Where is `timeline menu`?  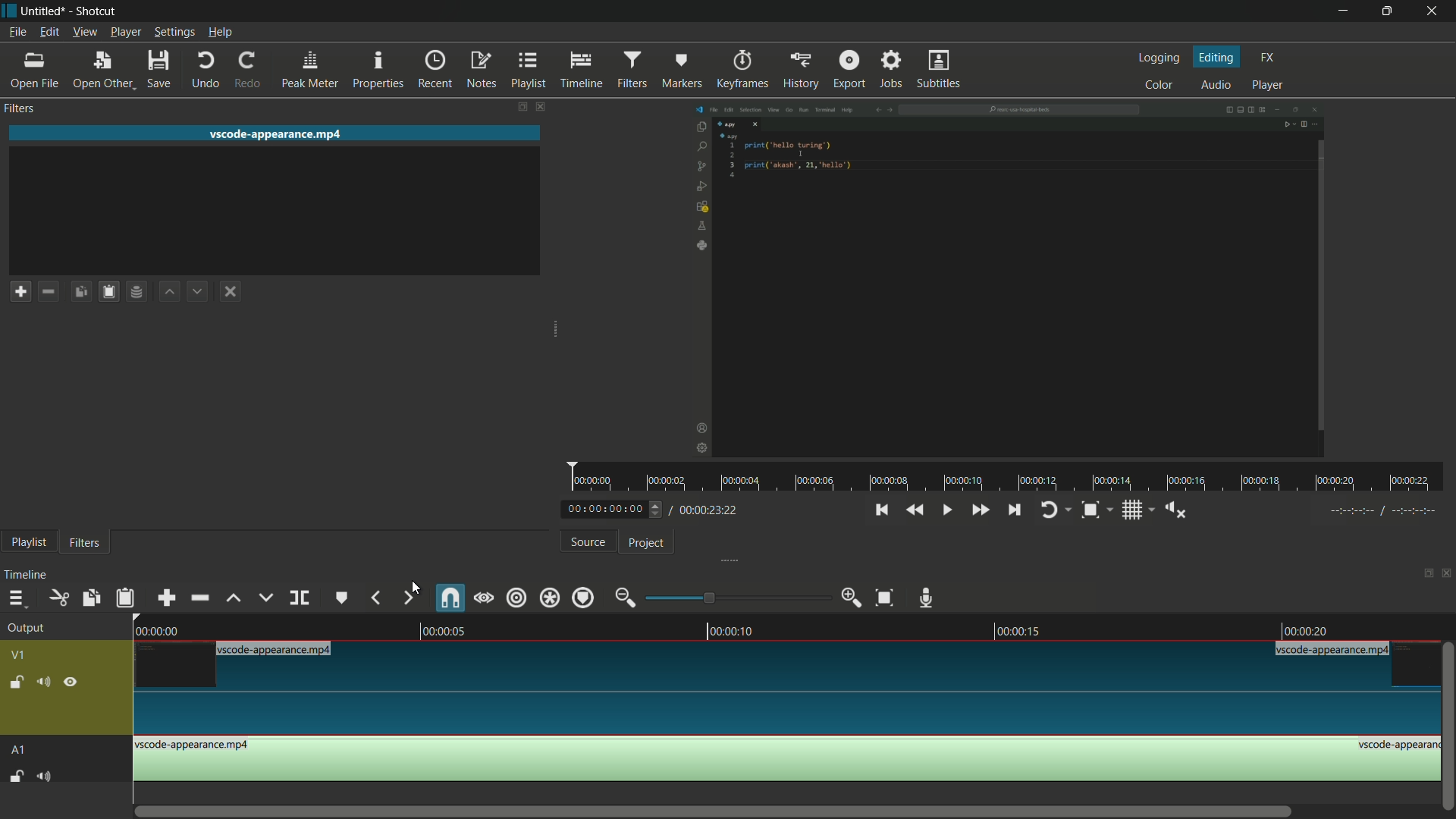 timeline menu is located at coordinates (19, 598).